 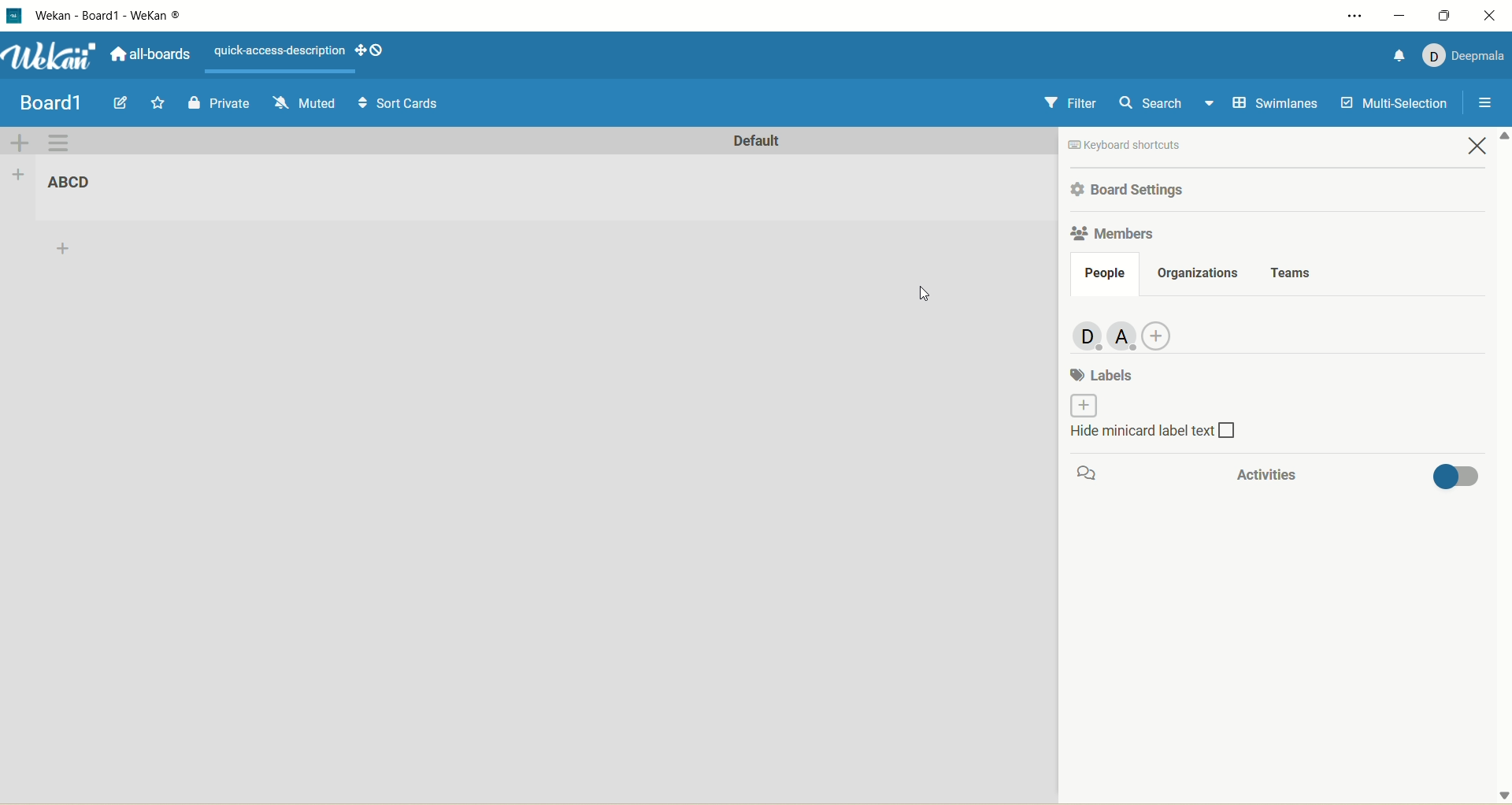 What do you see at coordinates (1443, 16) in the screenshot?
I see `maximize` at bounding box center [1443, 16].